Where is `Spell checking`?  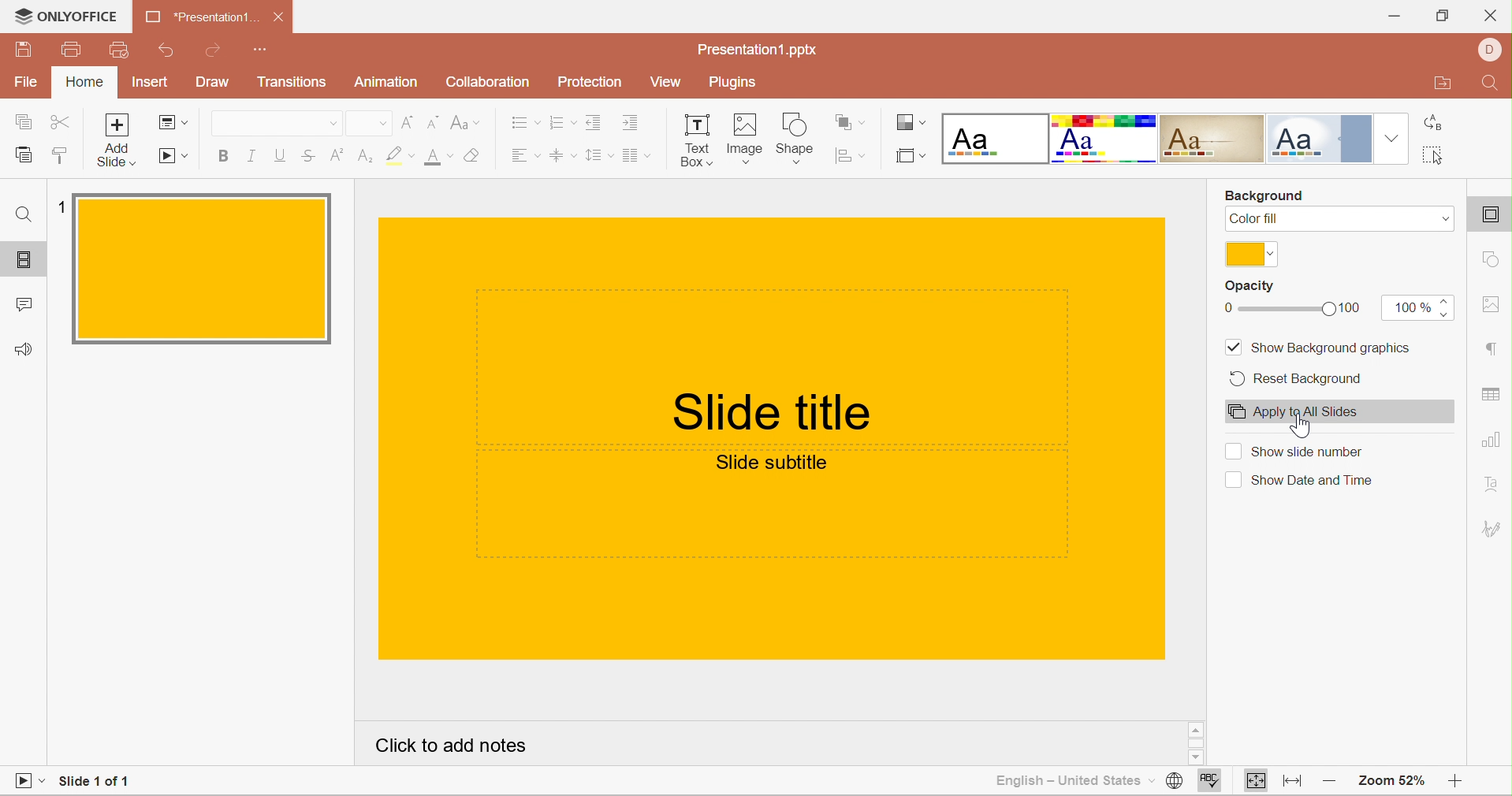 Spell checking is located at coordinates (1210, 782).